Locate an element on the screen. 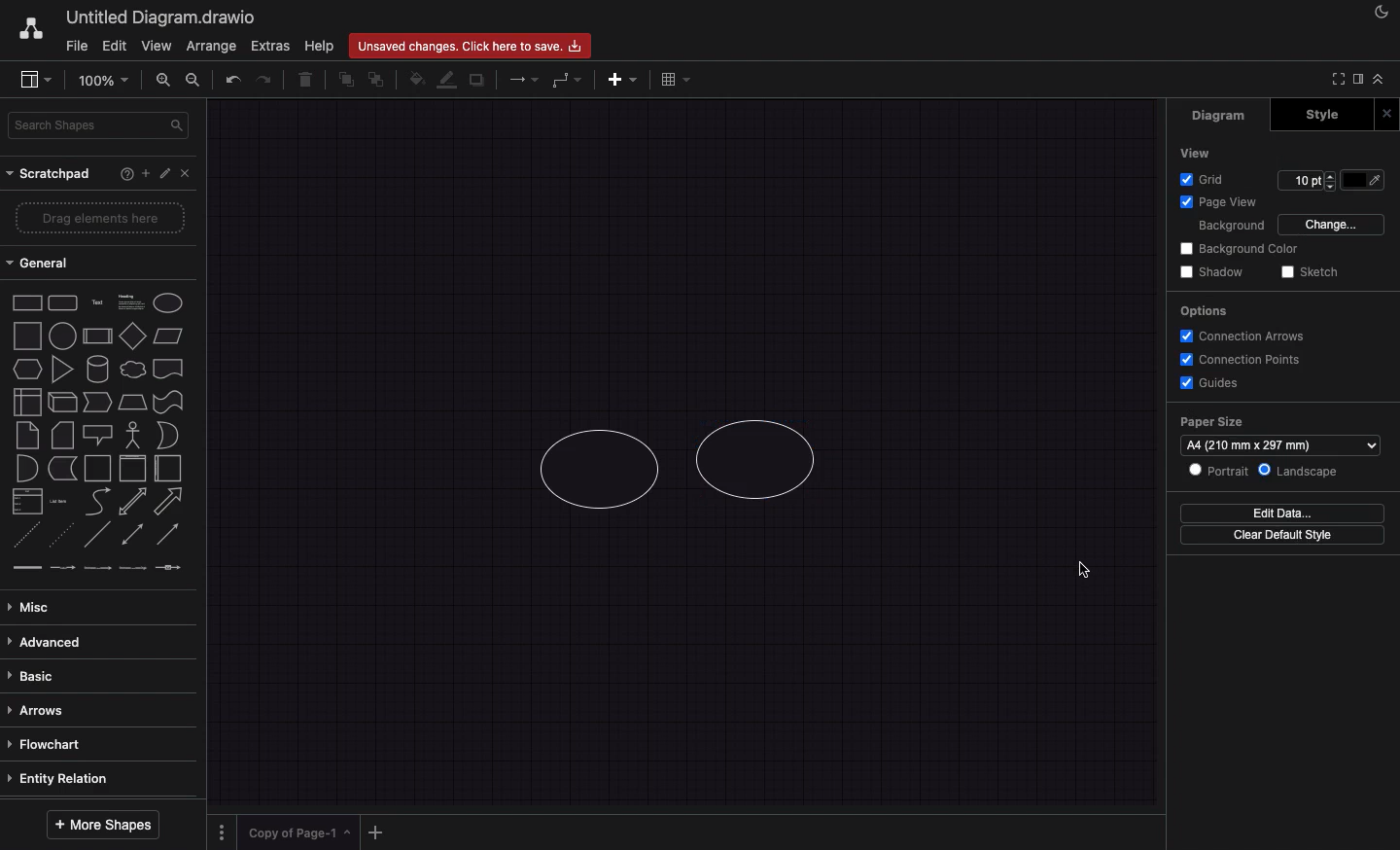 This screenshot has width=1400, height=850. cloud is located at coordinates (134, 370).